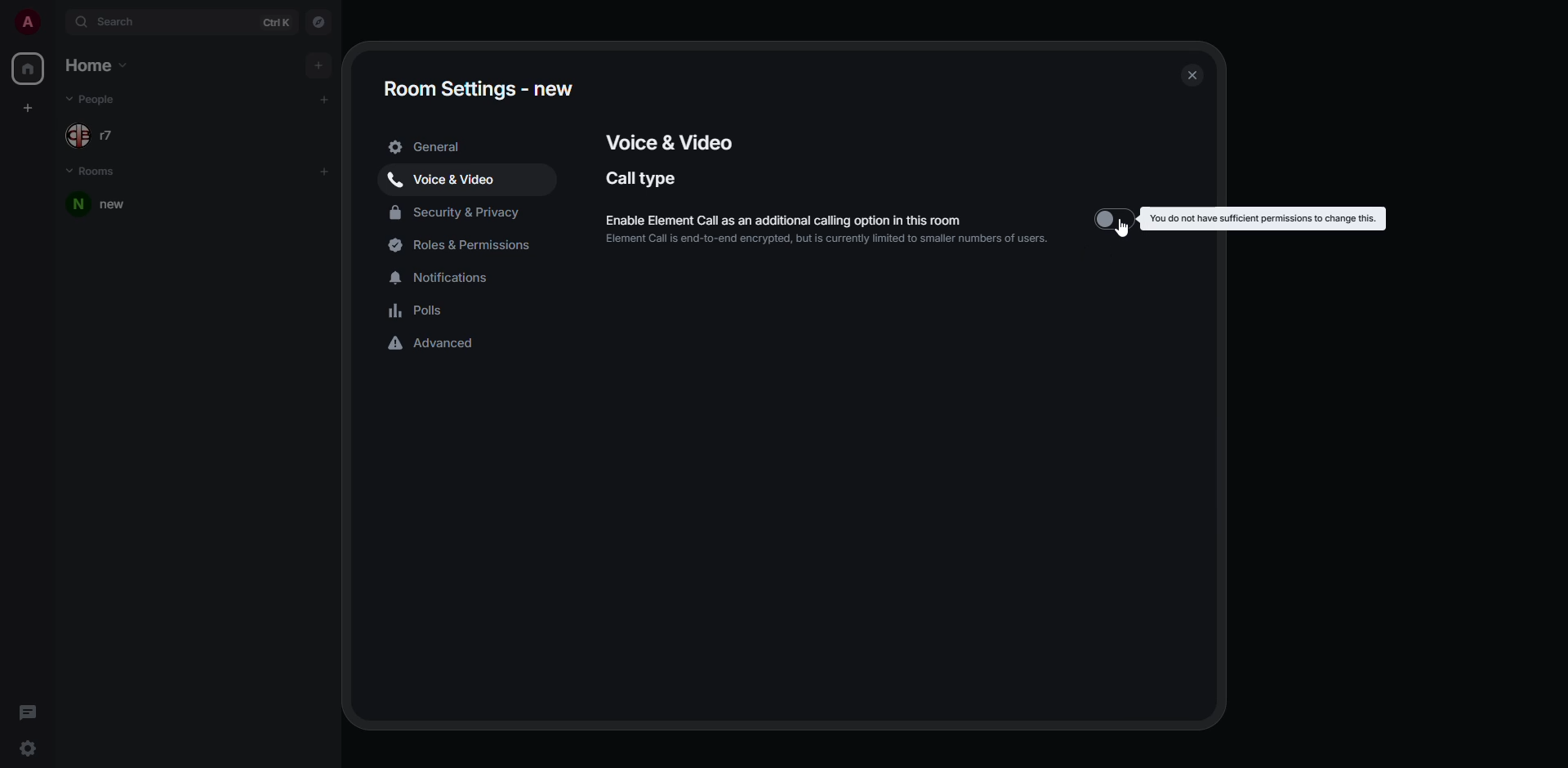  What do you see at coordinates (1259, 218) in the screenshot?
I see `you do not have permission to change this` at bounding box center [1259, 218].